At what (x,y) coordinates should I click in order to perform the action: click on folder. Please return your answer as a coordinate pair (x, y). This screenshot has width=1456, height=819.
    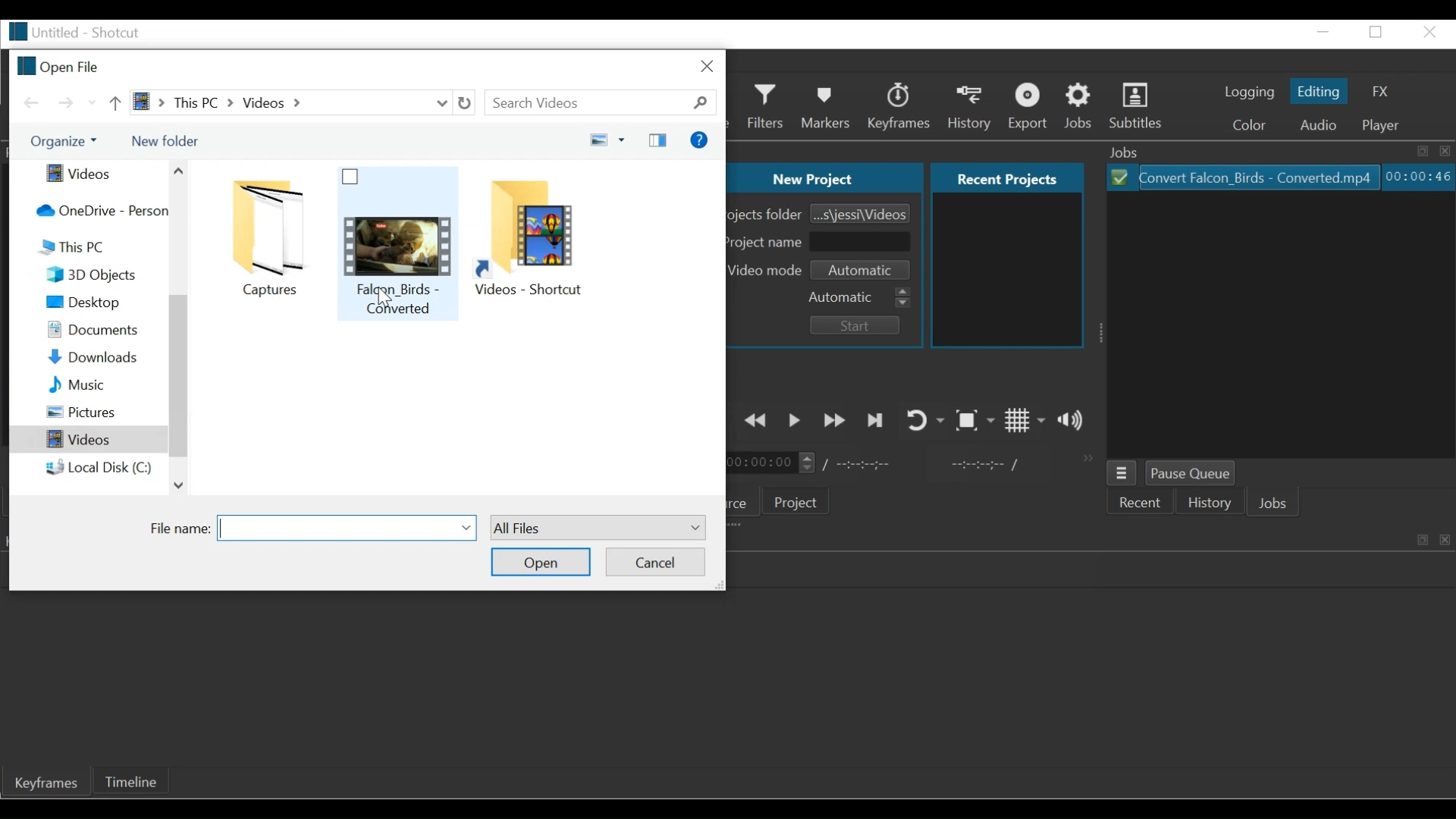
    Looking at the image, I should click on (397, 243).